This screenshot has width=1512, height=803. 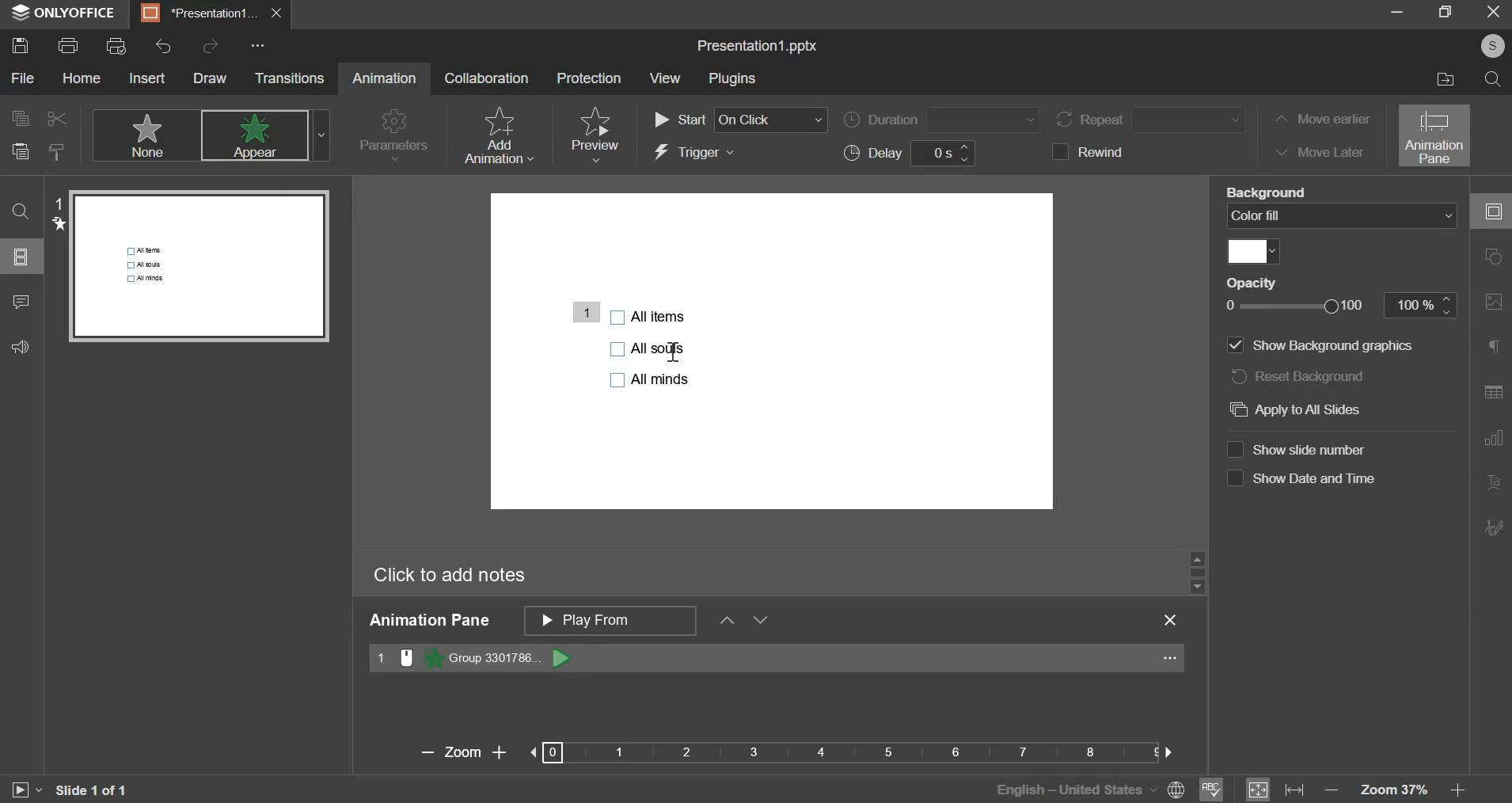 I want to click on delay, so click(x=913, y=154).